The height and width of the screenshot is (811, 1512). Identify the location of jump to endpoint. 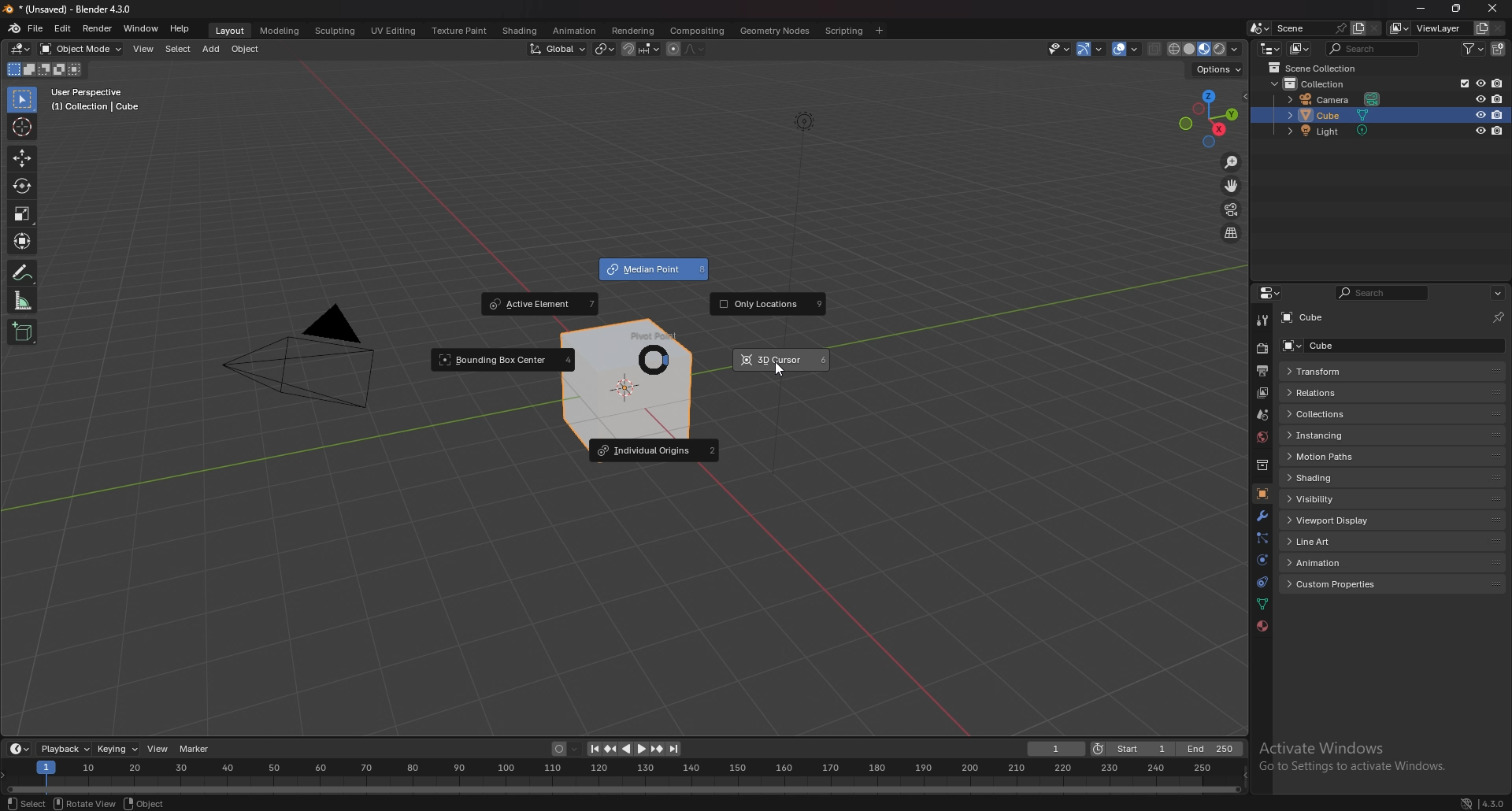
(593, 749).